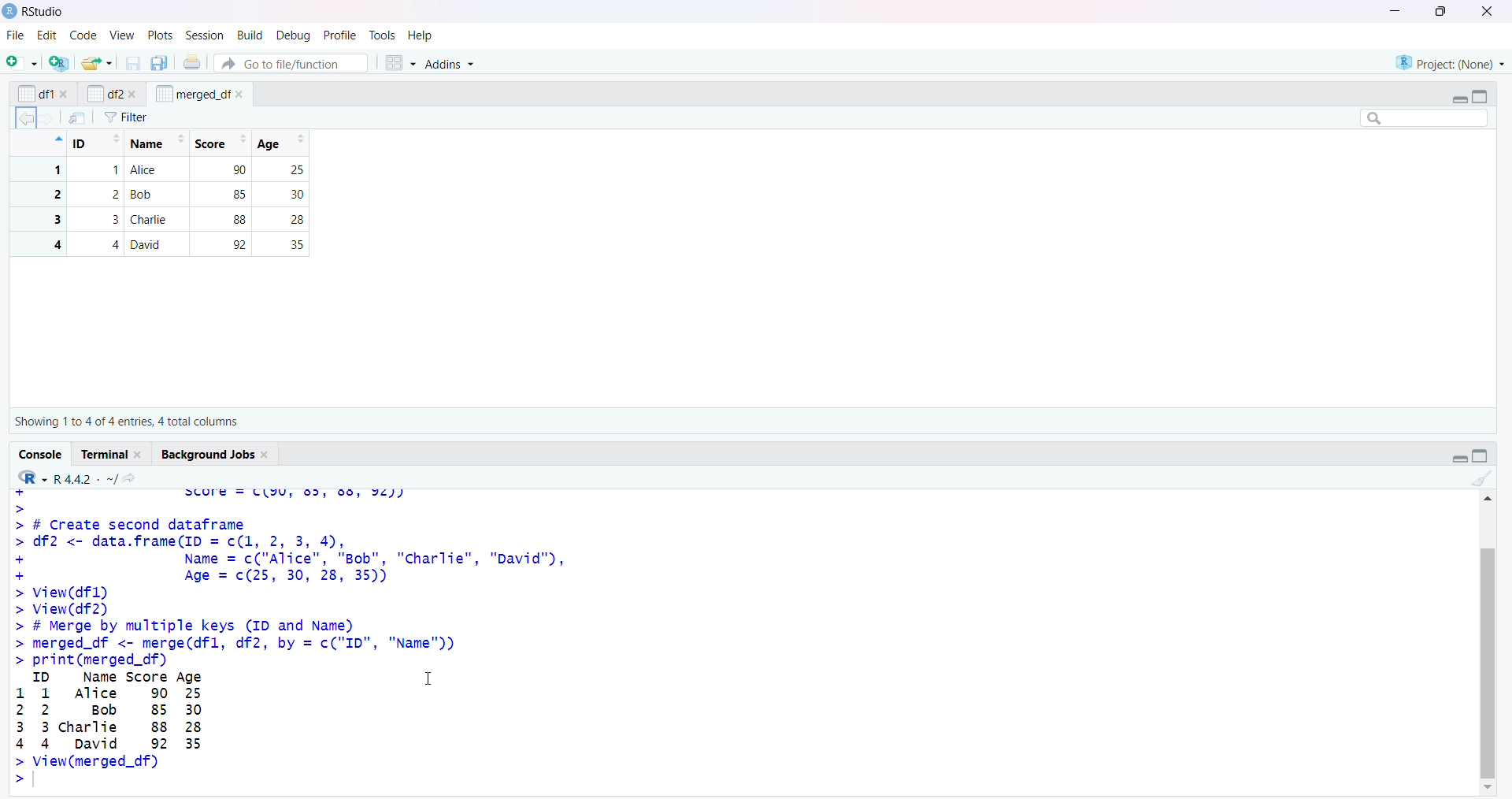  I want to click on icon, so click(57, 139).